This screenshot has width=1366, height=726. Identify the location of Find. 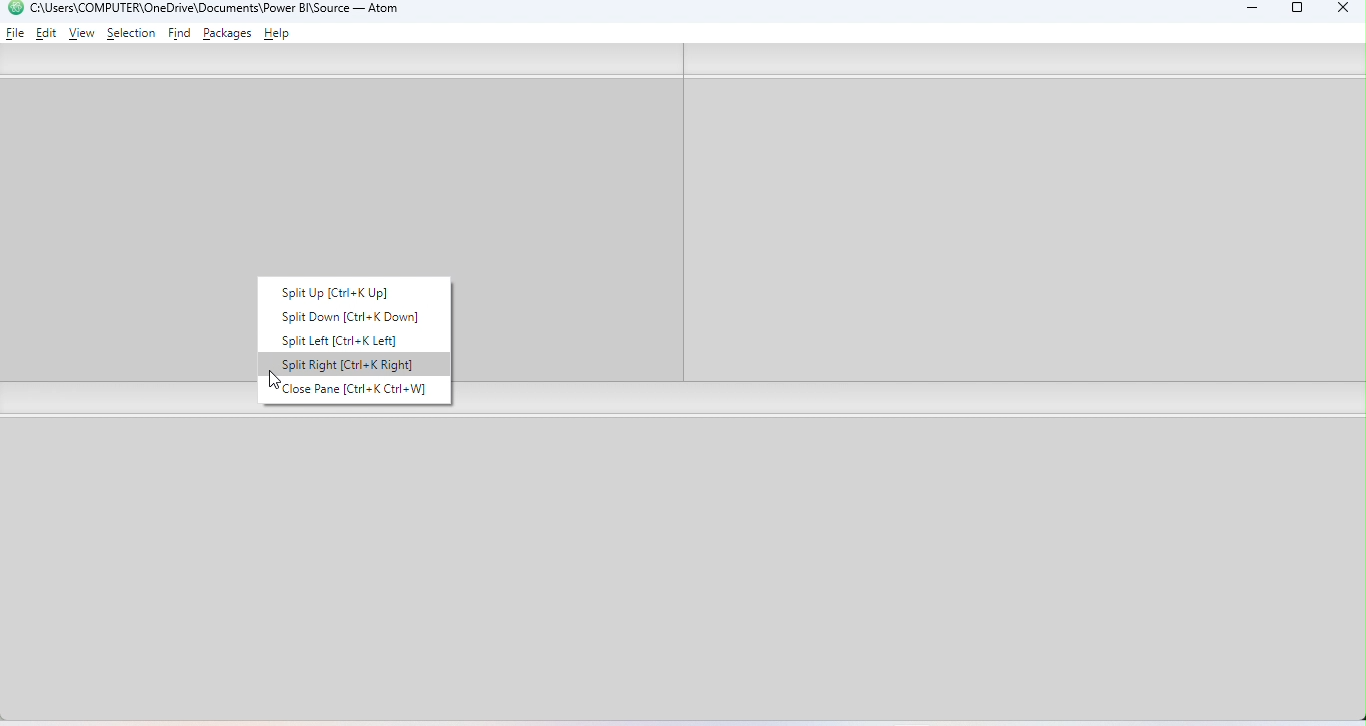
(181, 34).